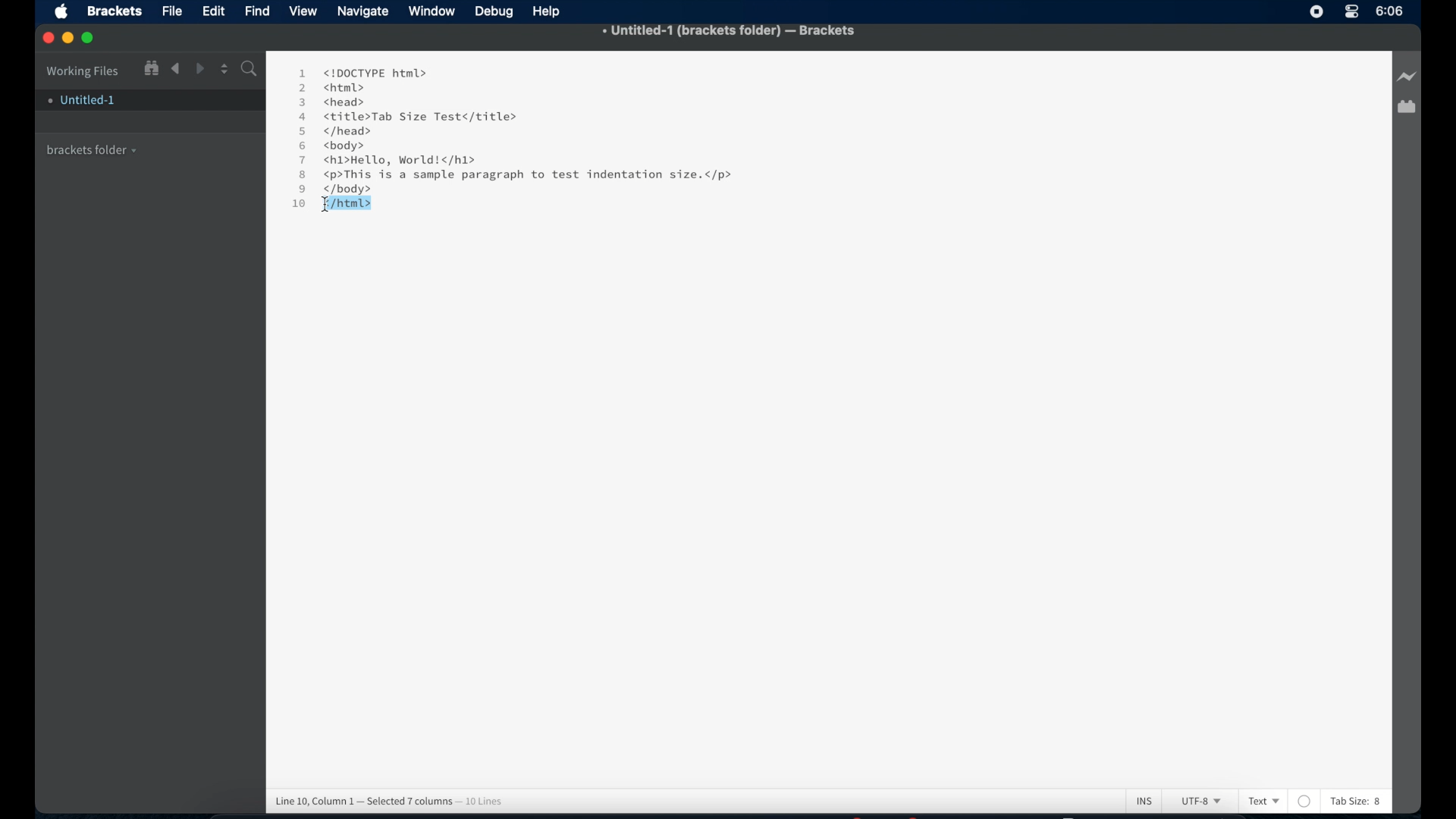 The width and height of the screenshot is (1456, 819). What do you see at coordinates (331, 87) in the screenshot?
I see `2 <html>` at bounding box center [331, 87].